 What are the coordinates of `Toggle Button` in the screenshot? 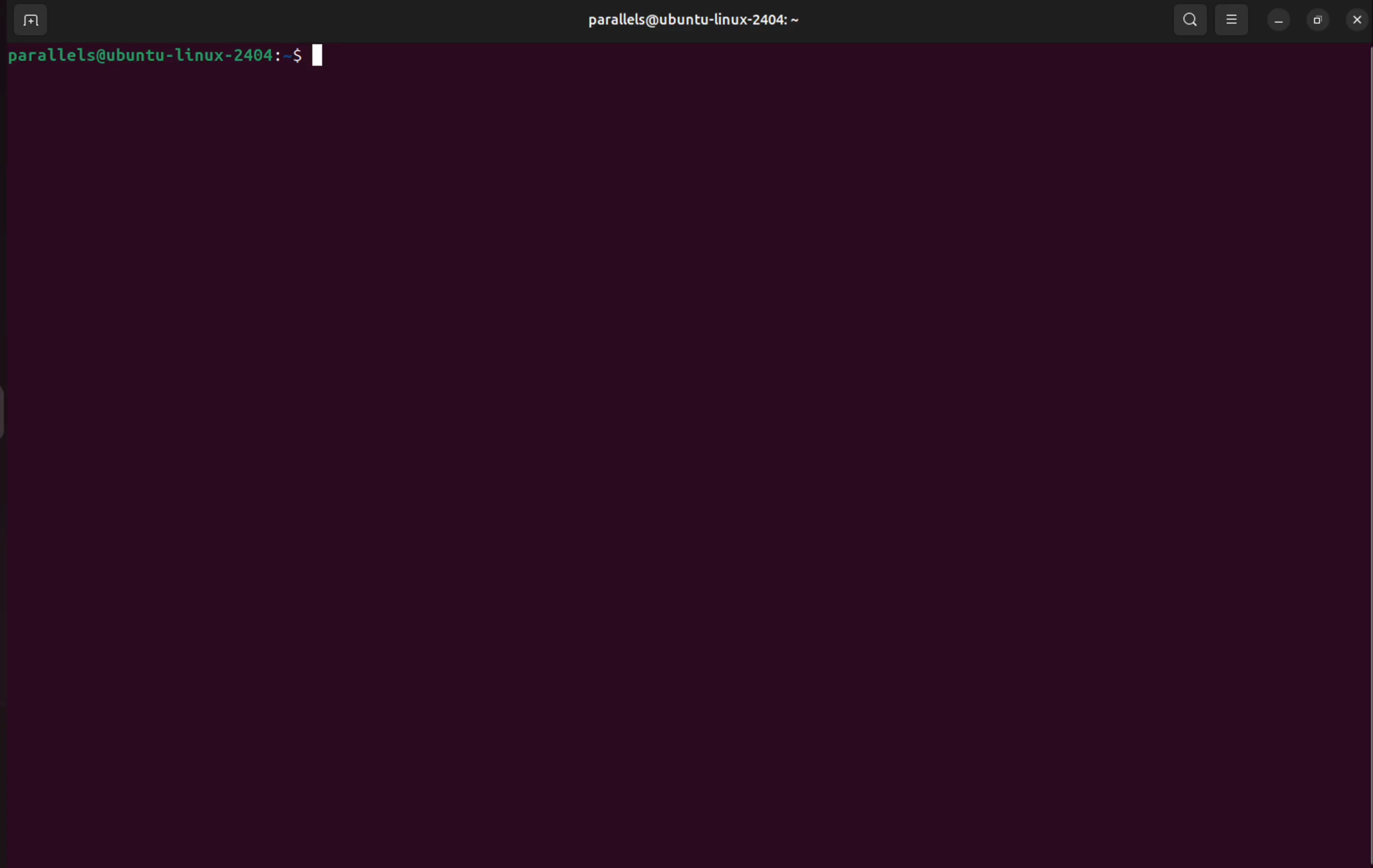 It's located at (13, 411).